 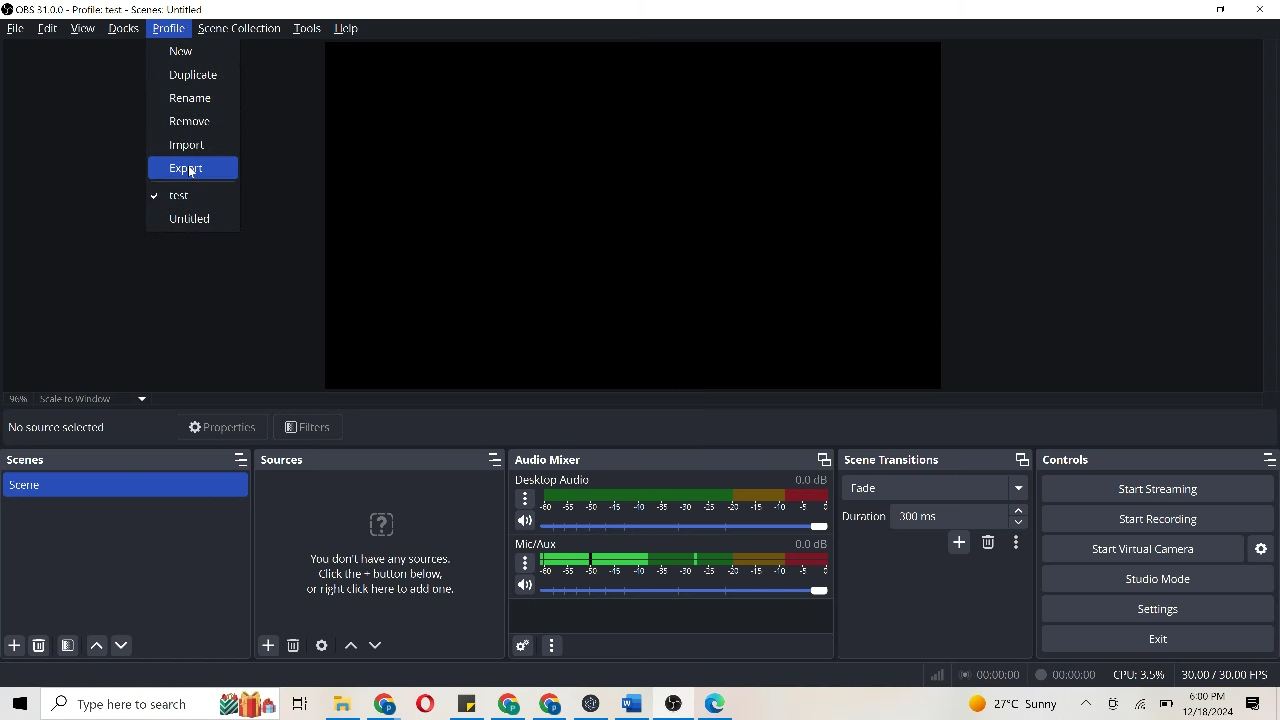 I want to click on scene collection, so click(x=239, y=27).